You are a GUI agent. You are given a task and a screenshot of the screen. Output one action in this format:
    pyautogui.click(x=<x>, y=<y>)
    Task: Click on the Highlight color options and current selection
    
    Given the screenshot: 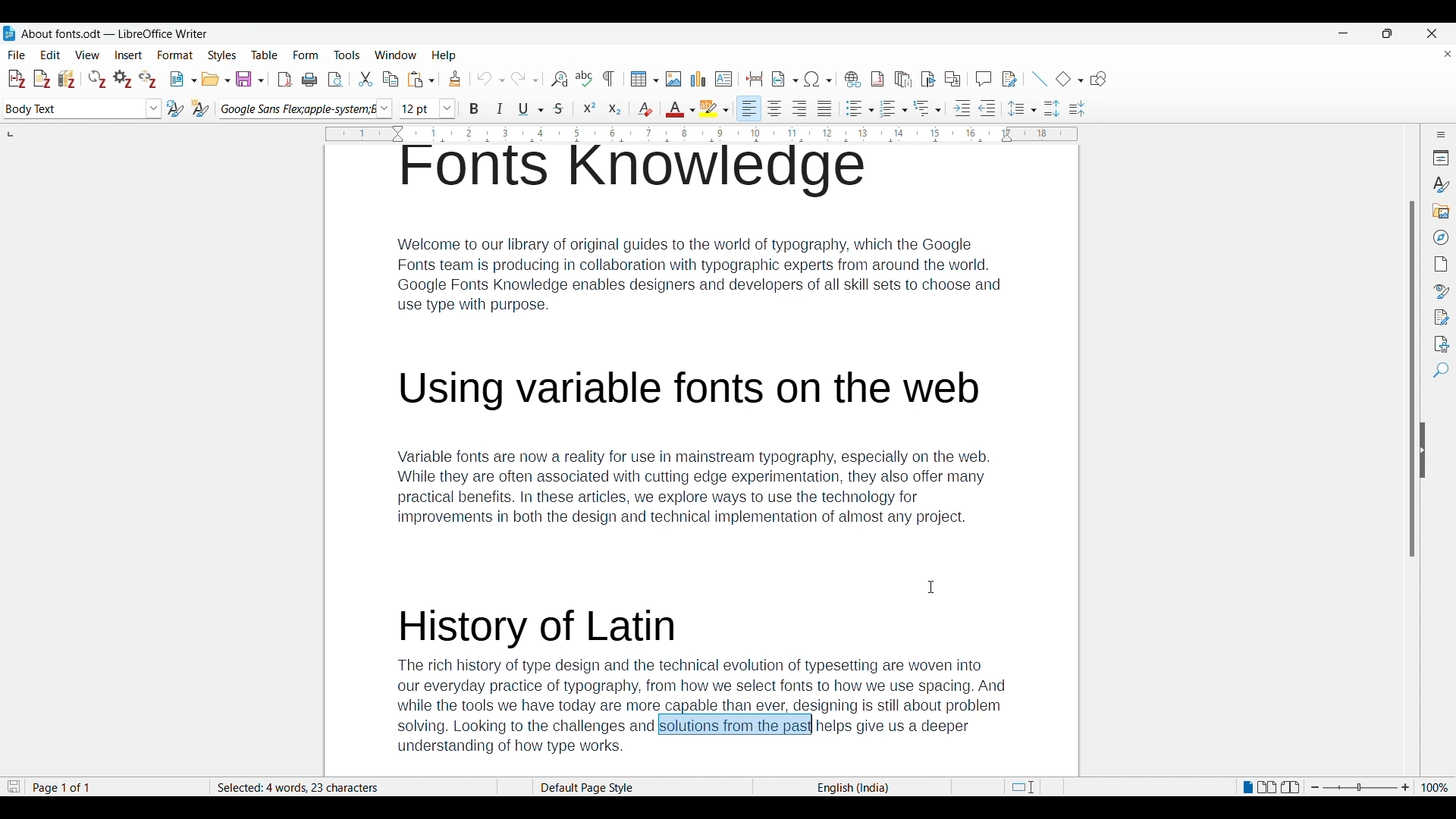 What is the action you would take?
    pyautogui.click(x=714, y=108)
    